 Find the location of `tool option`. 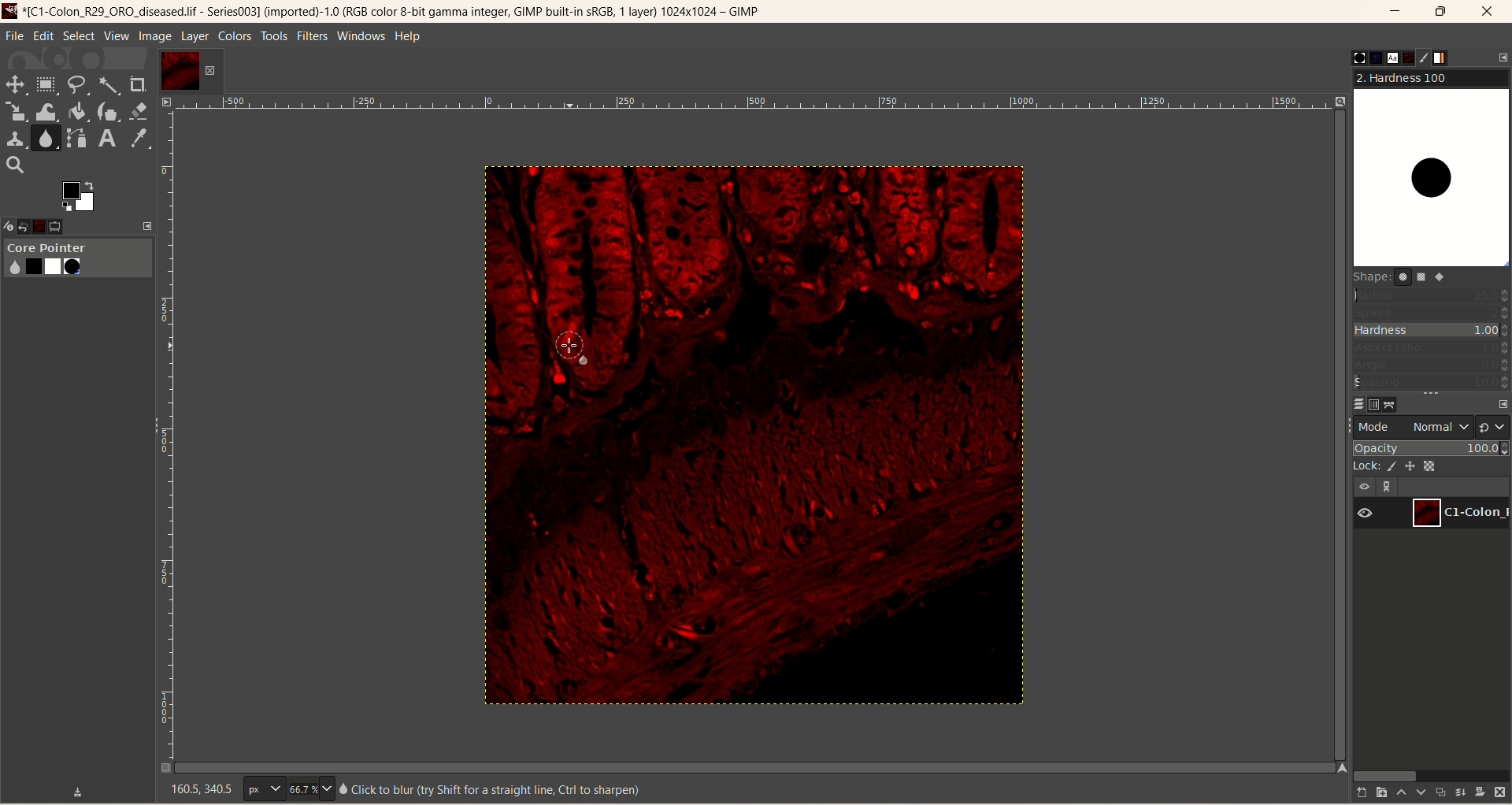

tool option is located at coordinates (70, 228).